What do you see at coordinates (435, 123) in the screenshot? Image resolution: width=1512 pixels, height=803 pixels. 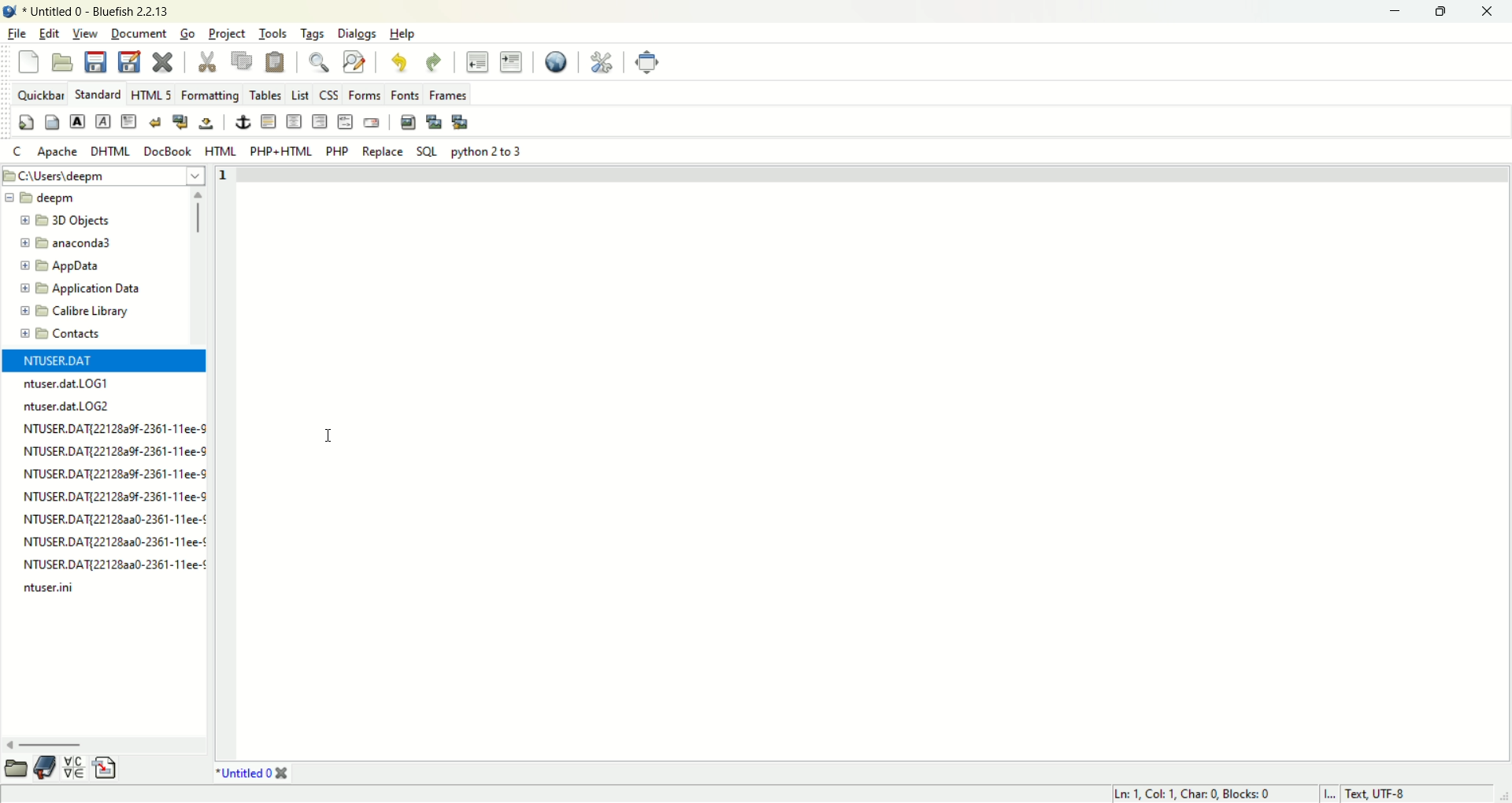 I see `insert thumbnail` at bounding box center [435, 123].